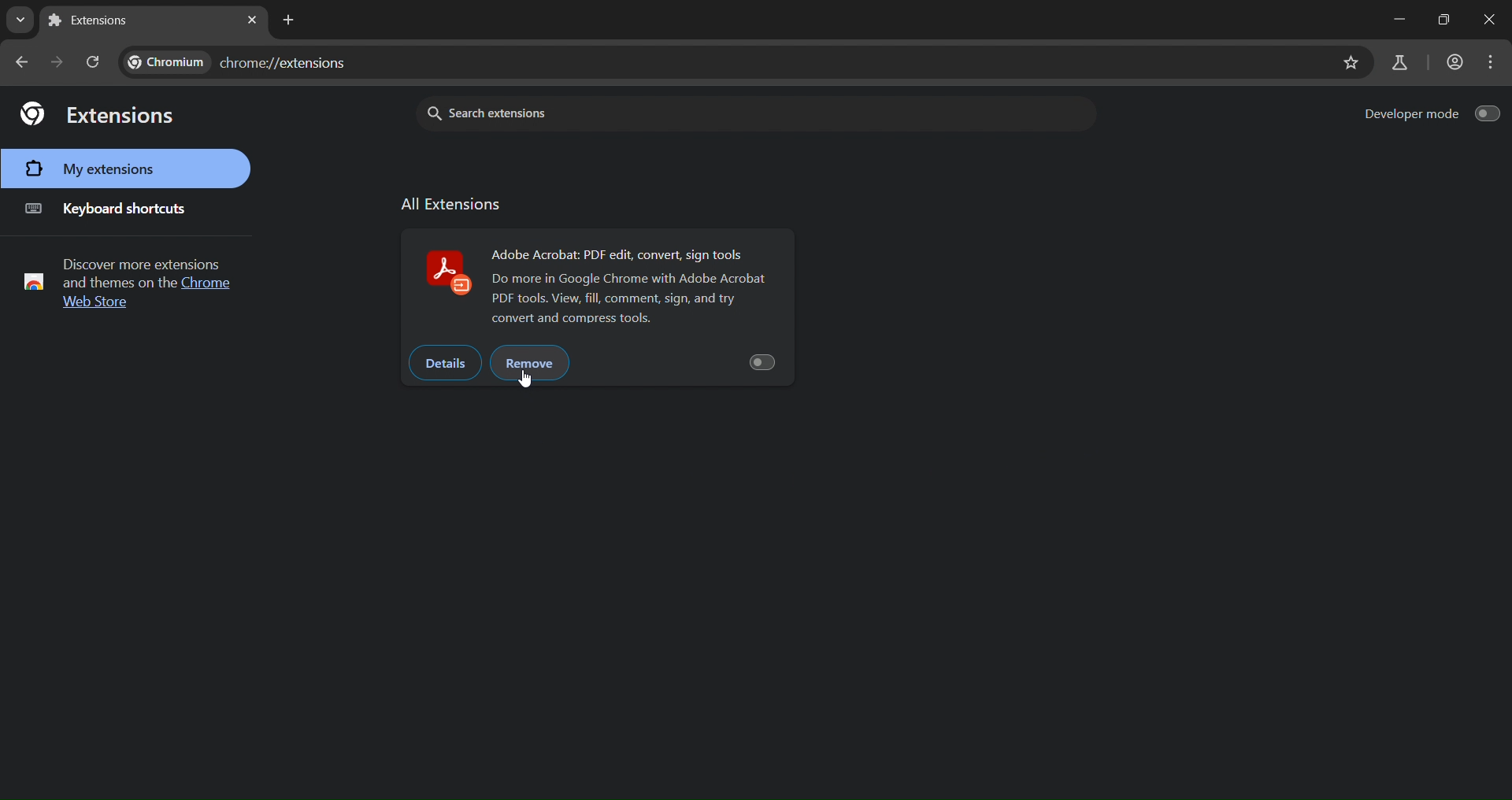 The width and height of the screenshot is (1512, 800). Describe the element at coordinates (287, 20) in the screenshot. I see `new tab` at that location.